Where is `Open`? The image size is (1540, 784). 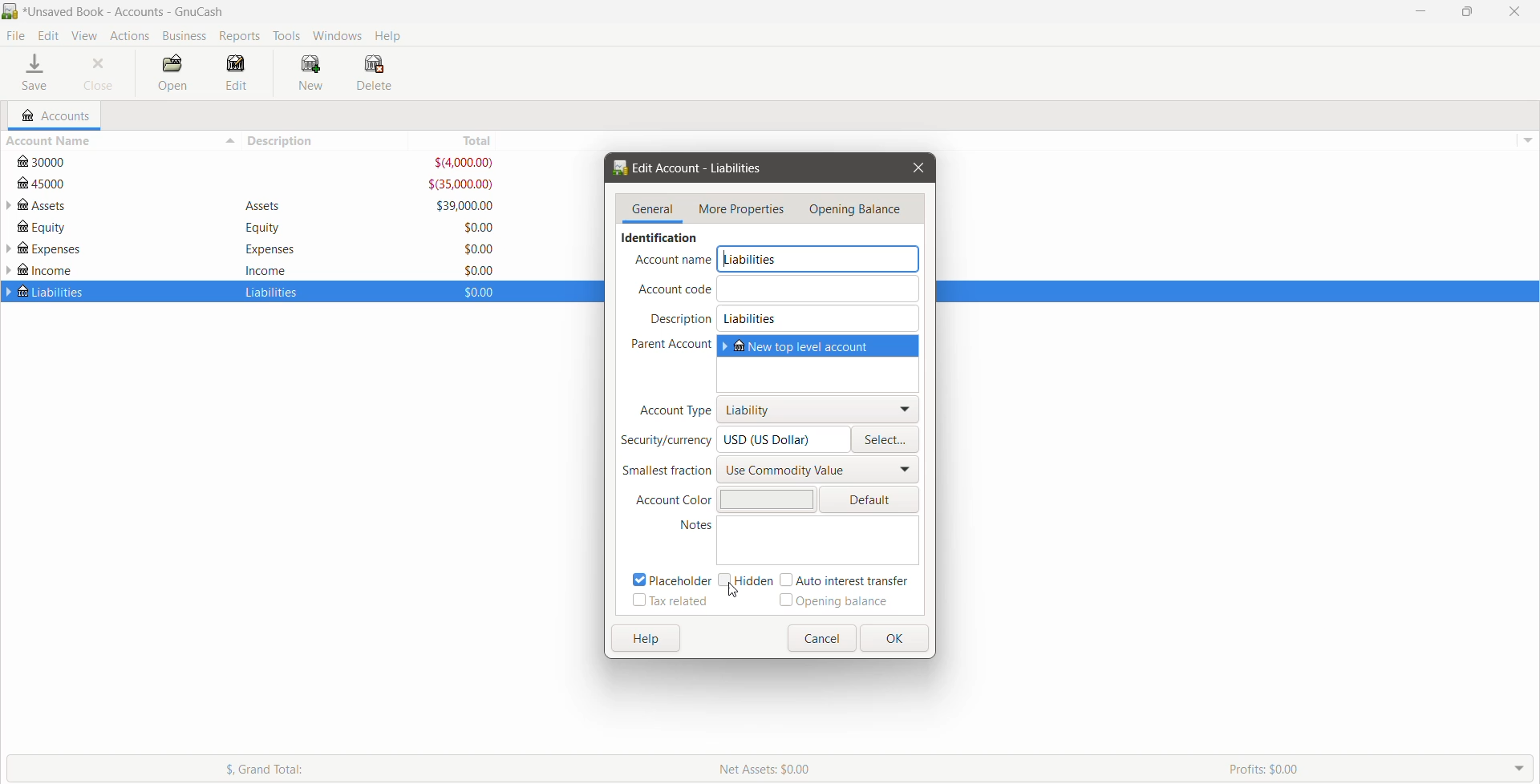
Open is located at coordinates (171, 74).